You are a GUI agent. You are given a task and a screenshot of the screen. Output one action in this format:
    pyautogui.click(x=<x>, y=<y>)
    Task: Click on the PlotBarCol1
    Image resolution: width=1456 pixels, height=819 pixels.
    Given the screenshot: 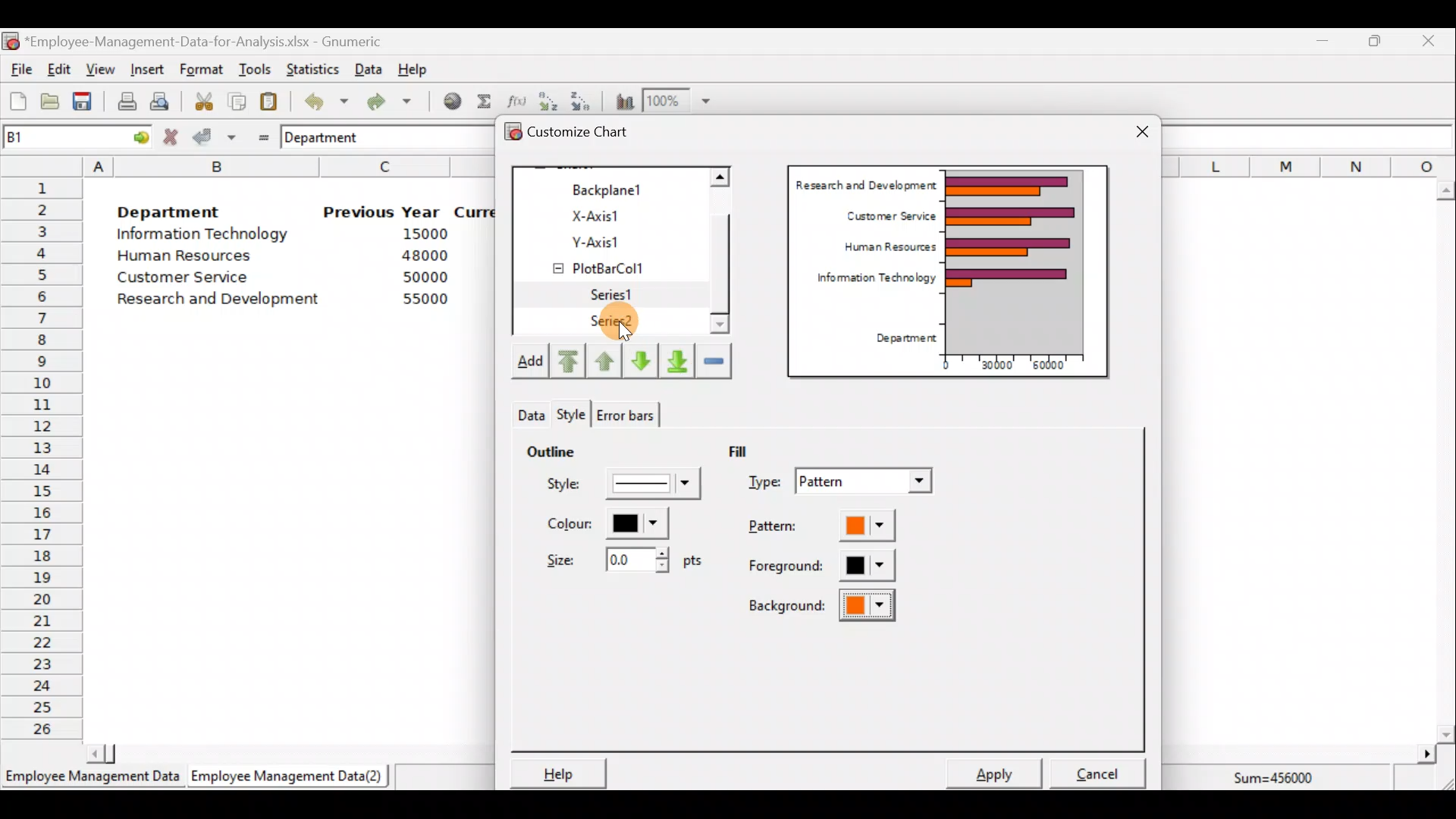 What is the action you would take?
    pyautogui.click(x=612, y=263)
    